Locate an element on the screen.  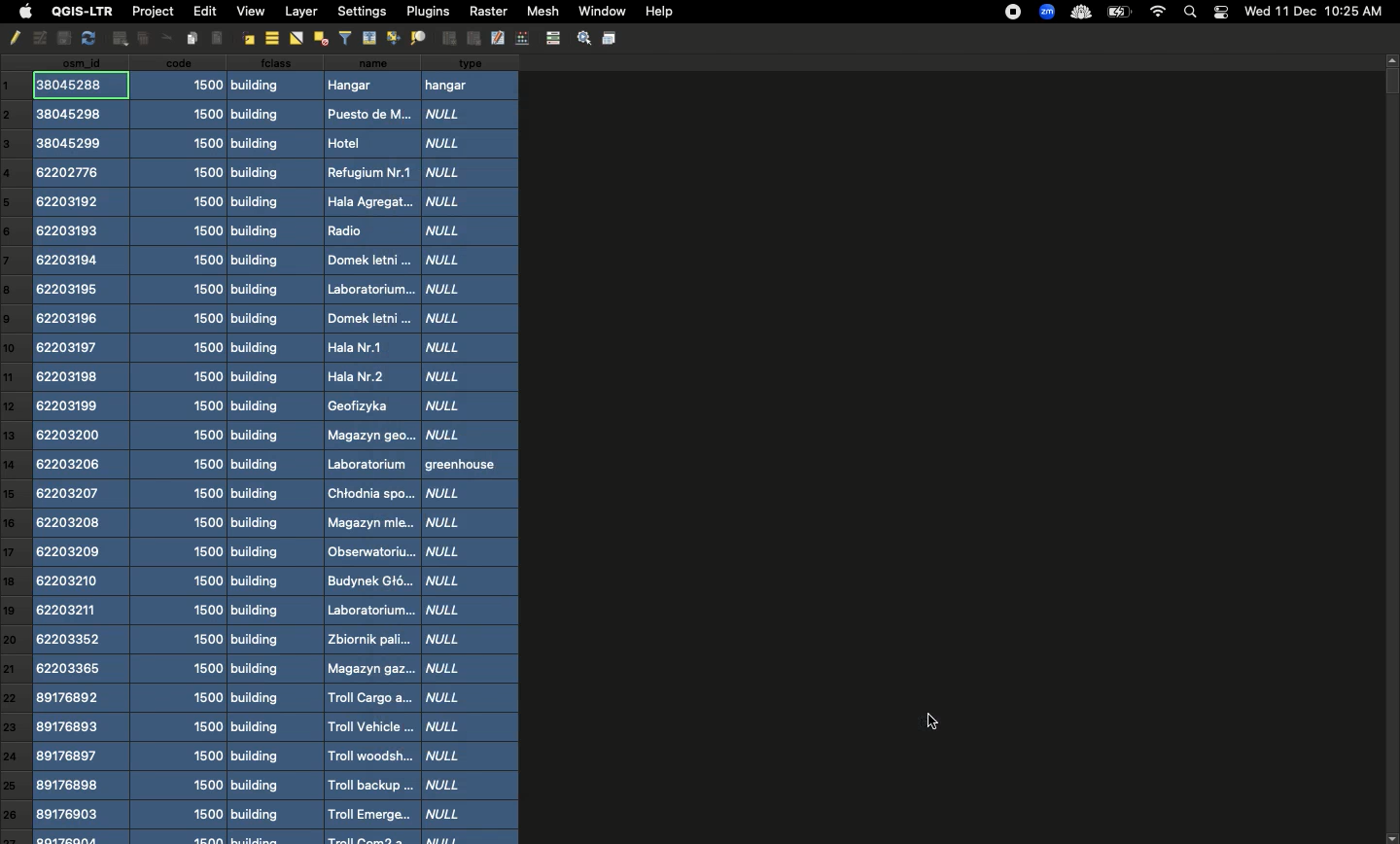
Name is located at coordinates (368, 449).